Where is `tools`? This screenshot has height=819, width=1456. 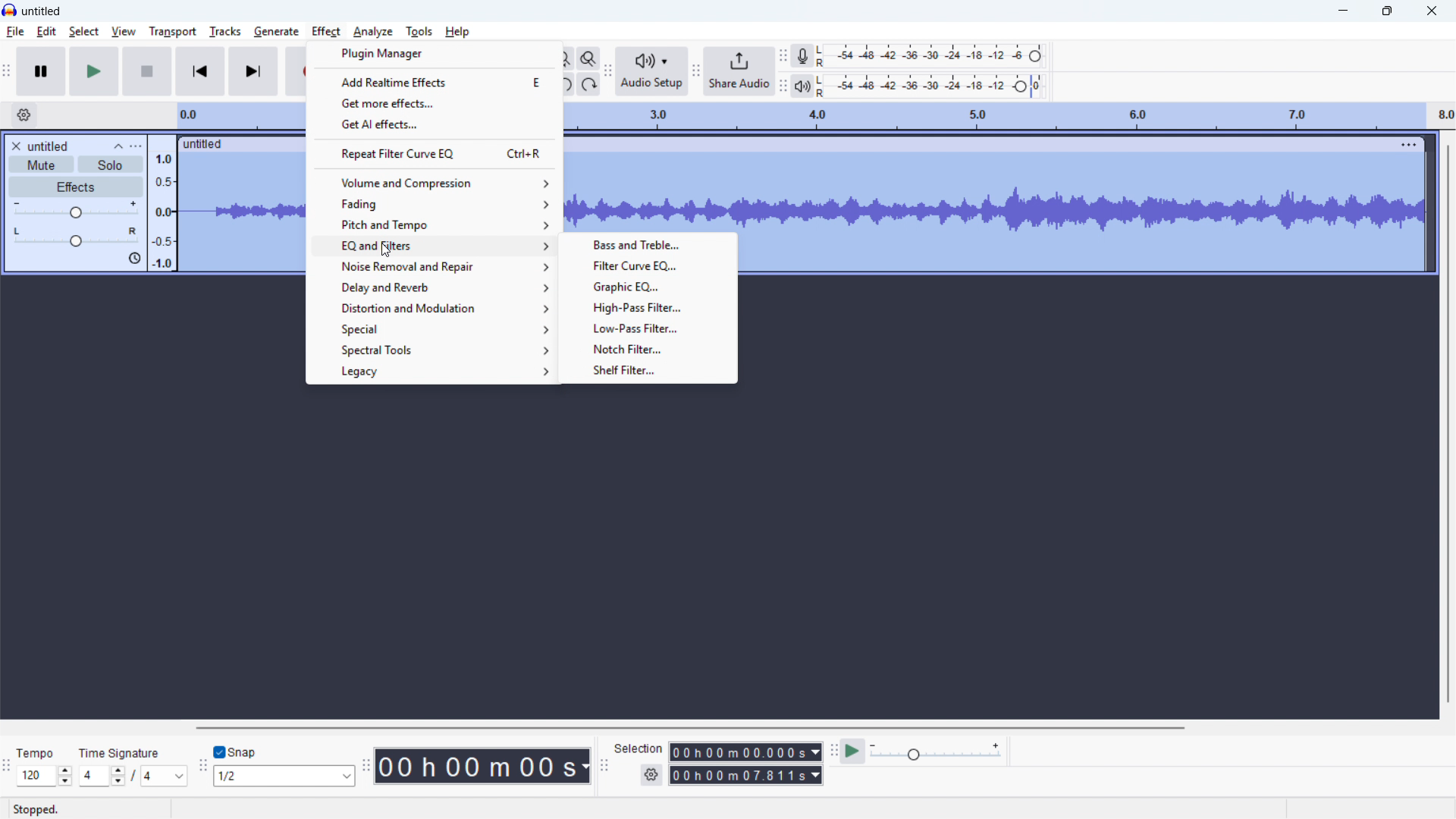 tools is located at coordinates (419, 30).